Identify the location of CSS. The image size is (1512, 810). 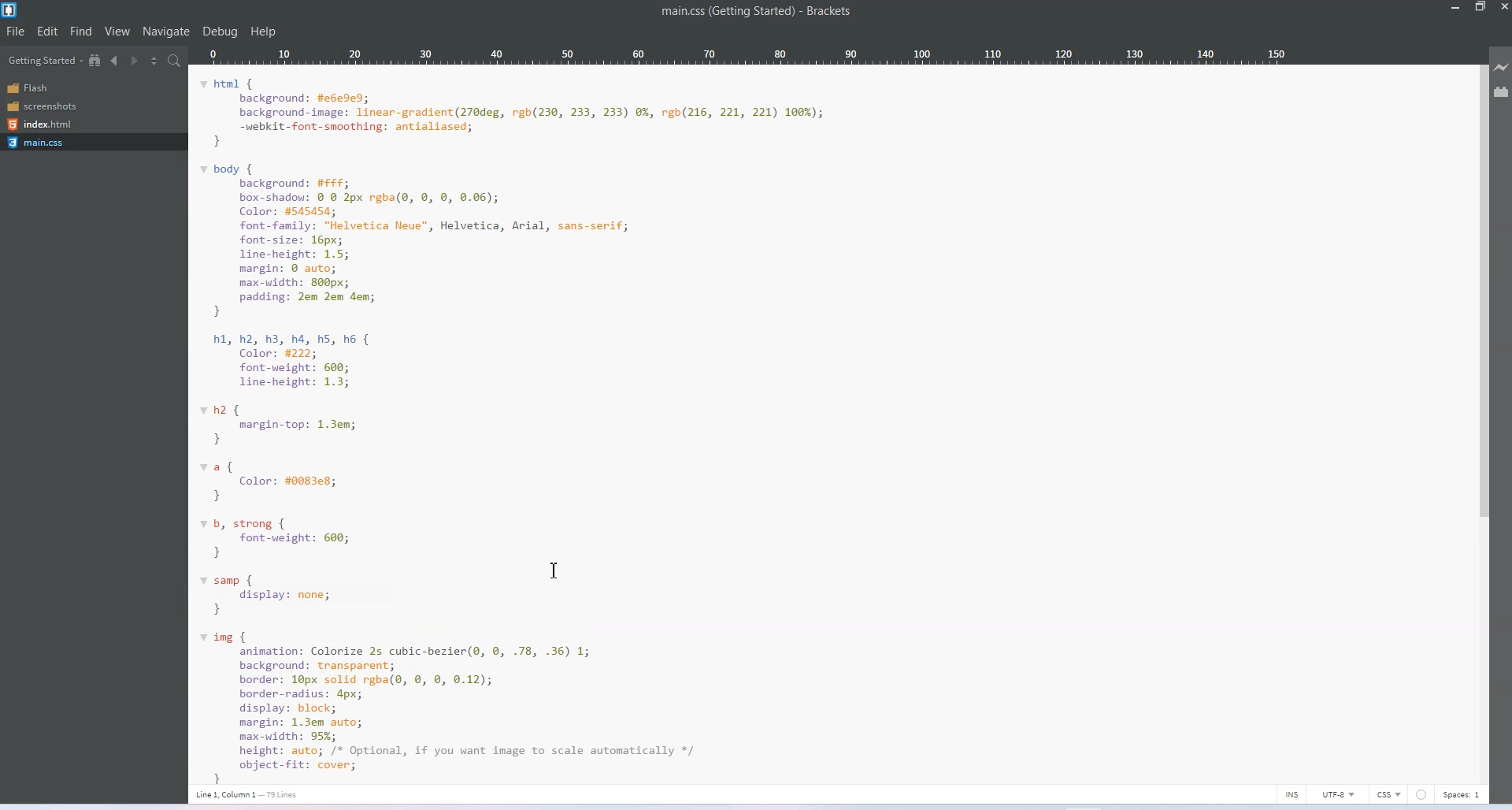
(1389, 793).